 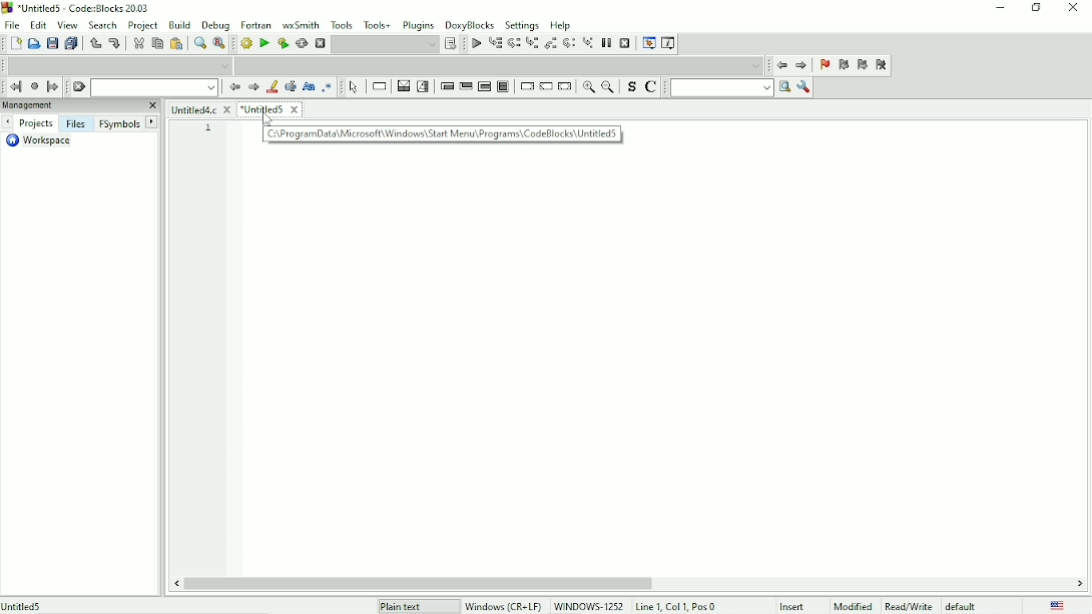 What do you see at coordinates (267, 120) in the screenshot?
I see `Cursor` at bounding box center [267, 120].